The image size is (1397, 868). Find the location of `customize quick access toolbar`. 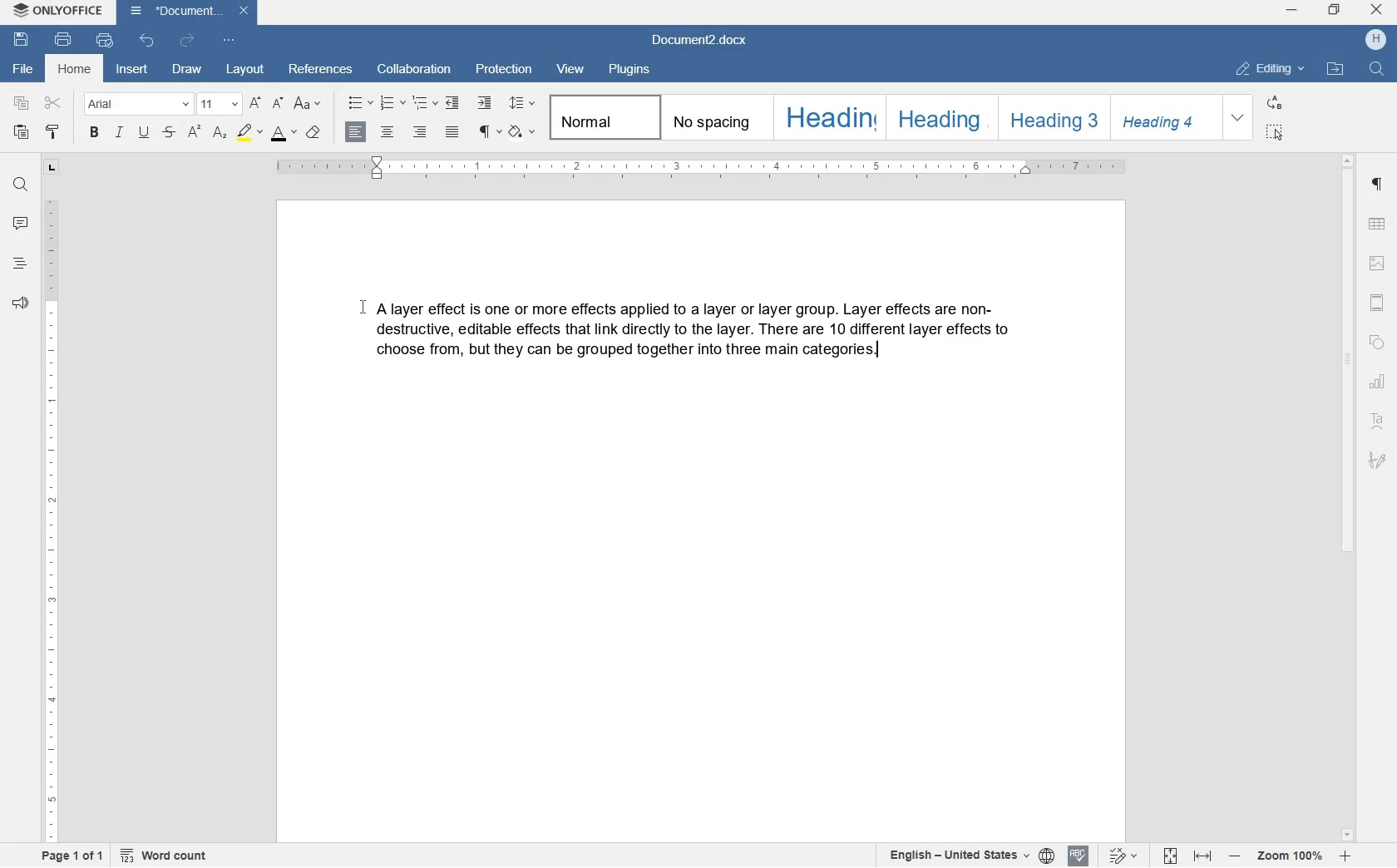

customize quick access toolbar is located at coordinates (230, 42).